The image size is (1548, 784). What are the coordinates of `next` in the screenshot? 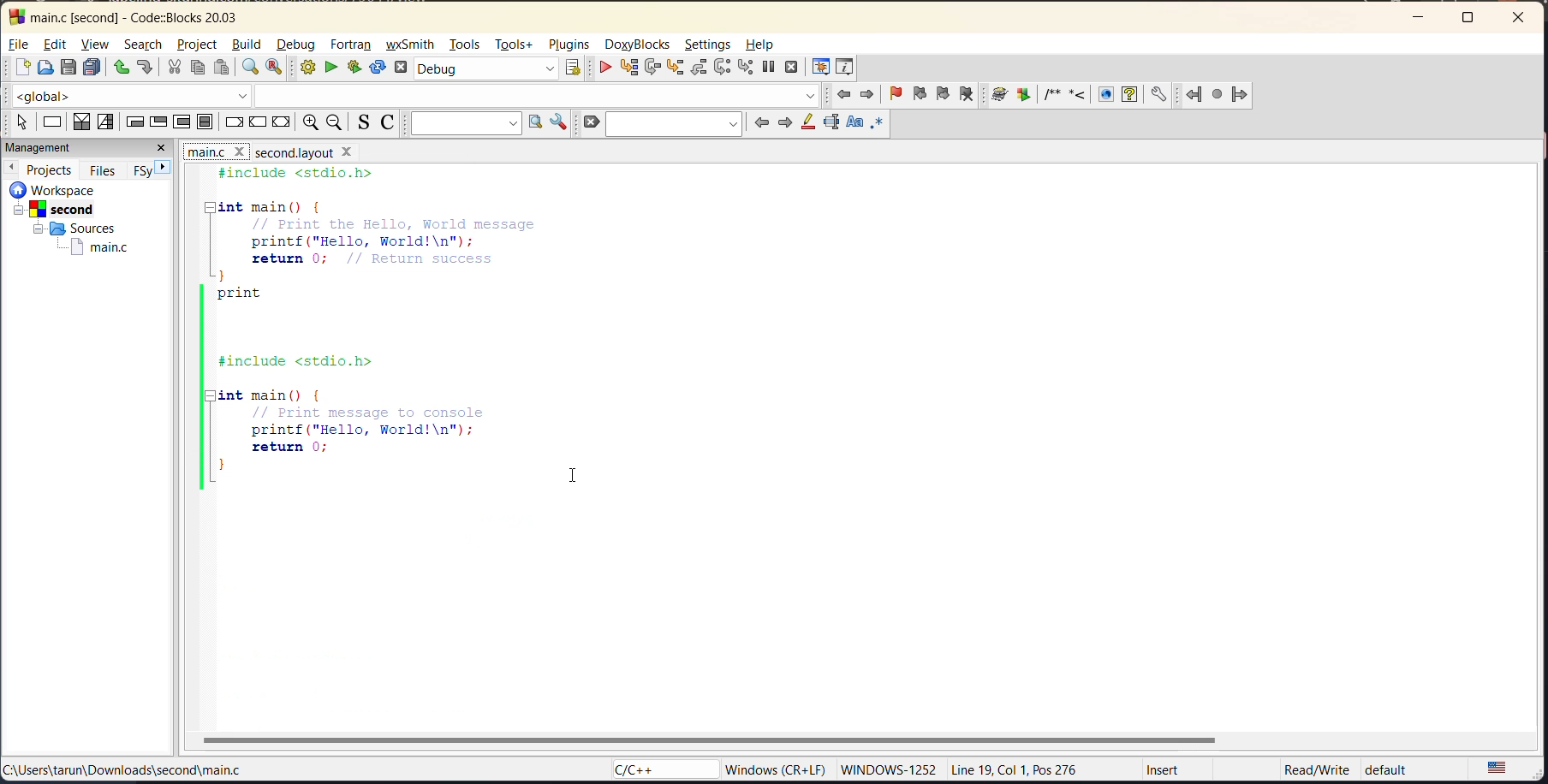 It's located at (783, 122).